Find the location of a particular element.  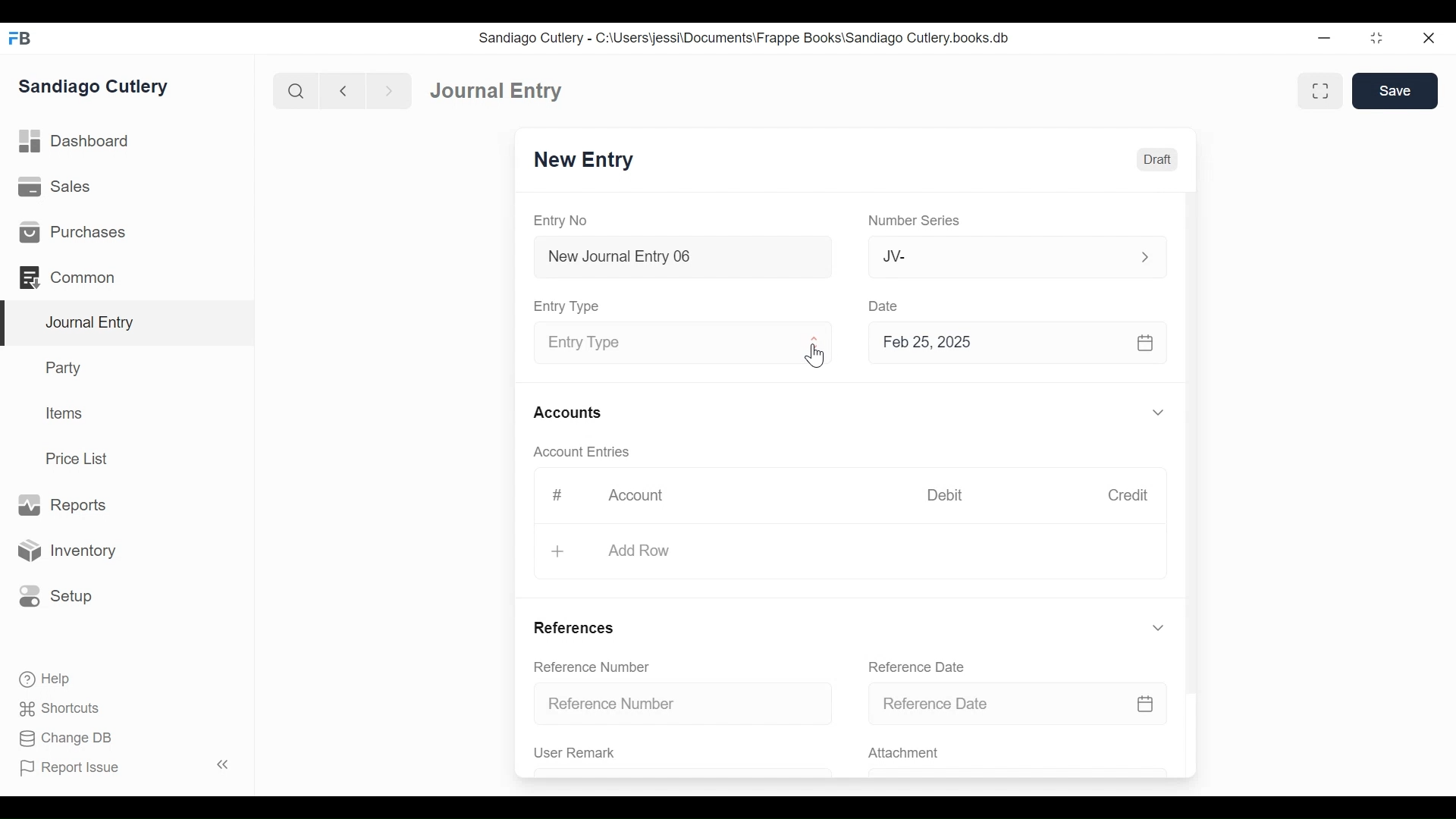

Reference Date is located at coordinates (915, 667).